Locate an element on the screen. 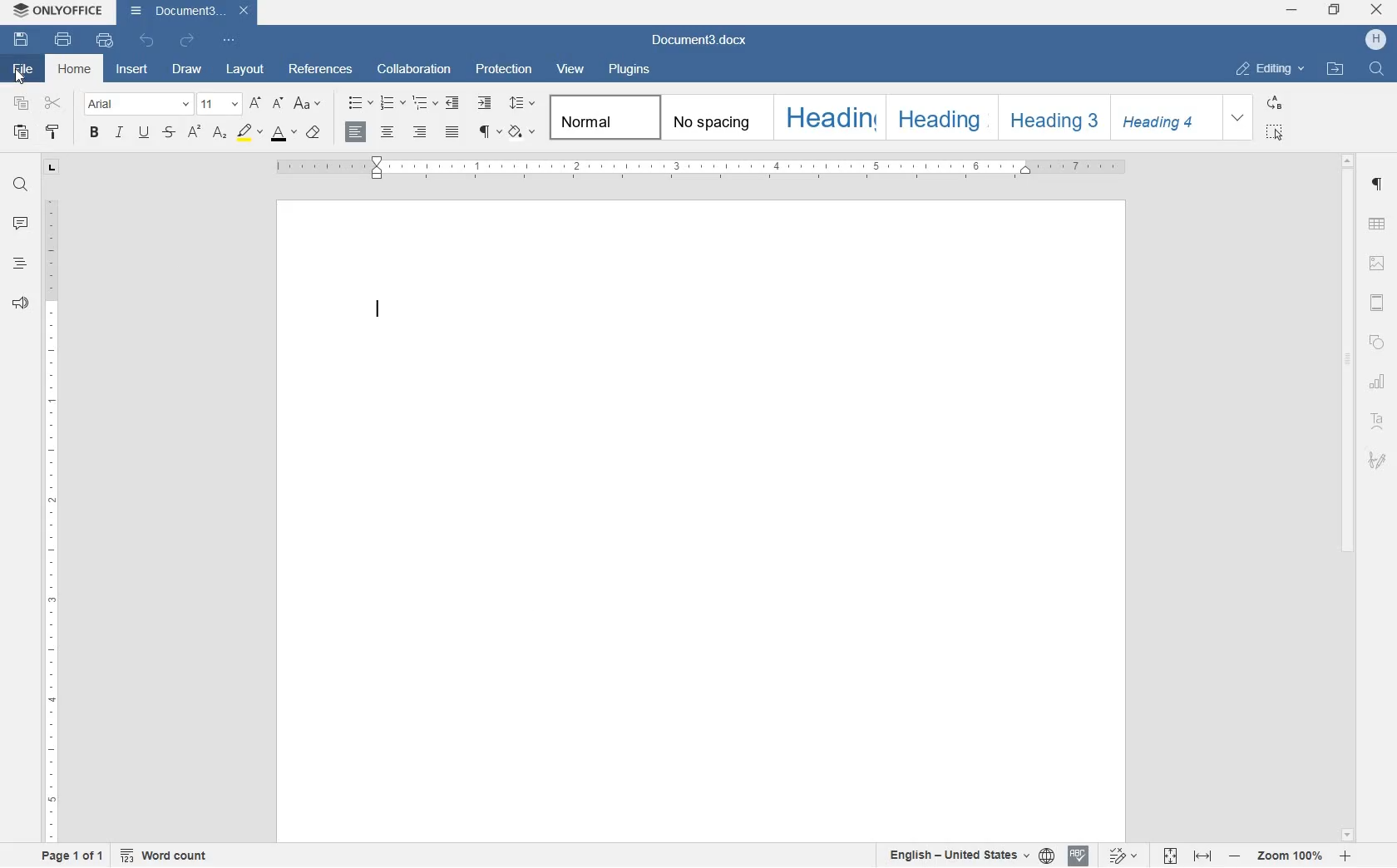 The width and height of the screenshot is (1397, 868). superscript is located at coordinates (195, 133).